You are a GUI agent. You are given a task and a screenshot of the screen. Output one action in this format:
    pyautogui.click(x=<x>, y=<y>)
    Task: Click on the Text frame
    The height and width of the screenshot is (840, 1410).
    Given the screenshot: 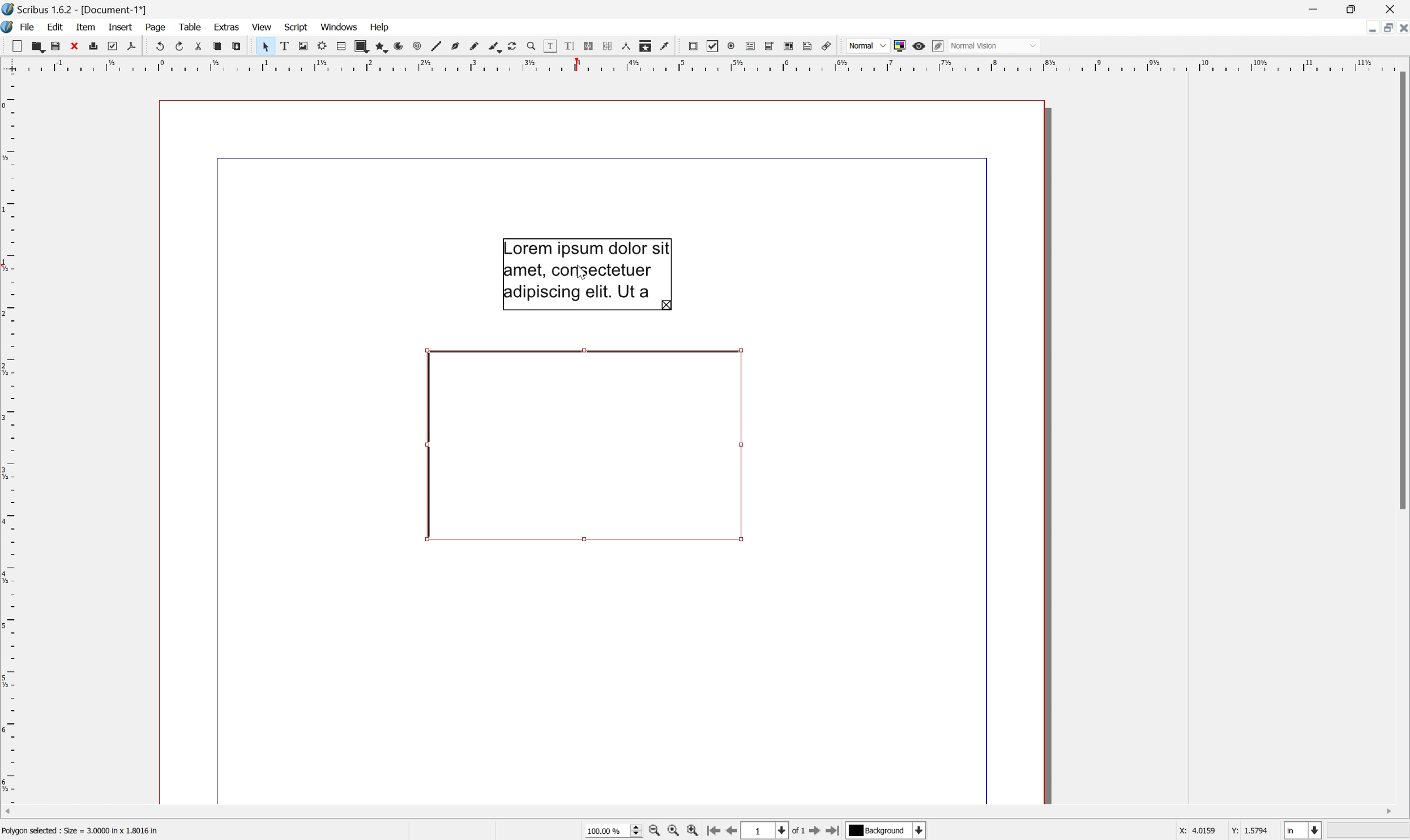 What is the action you would take?
    pyautogui.click(x=283, y=48)
    